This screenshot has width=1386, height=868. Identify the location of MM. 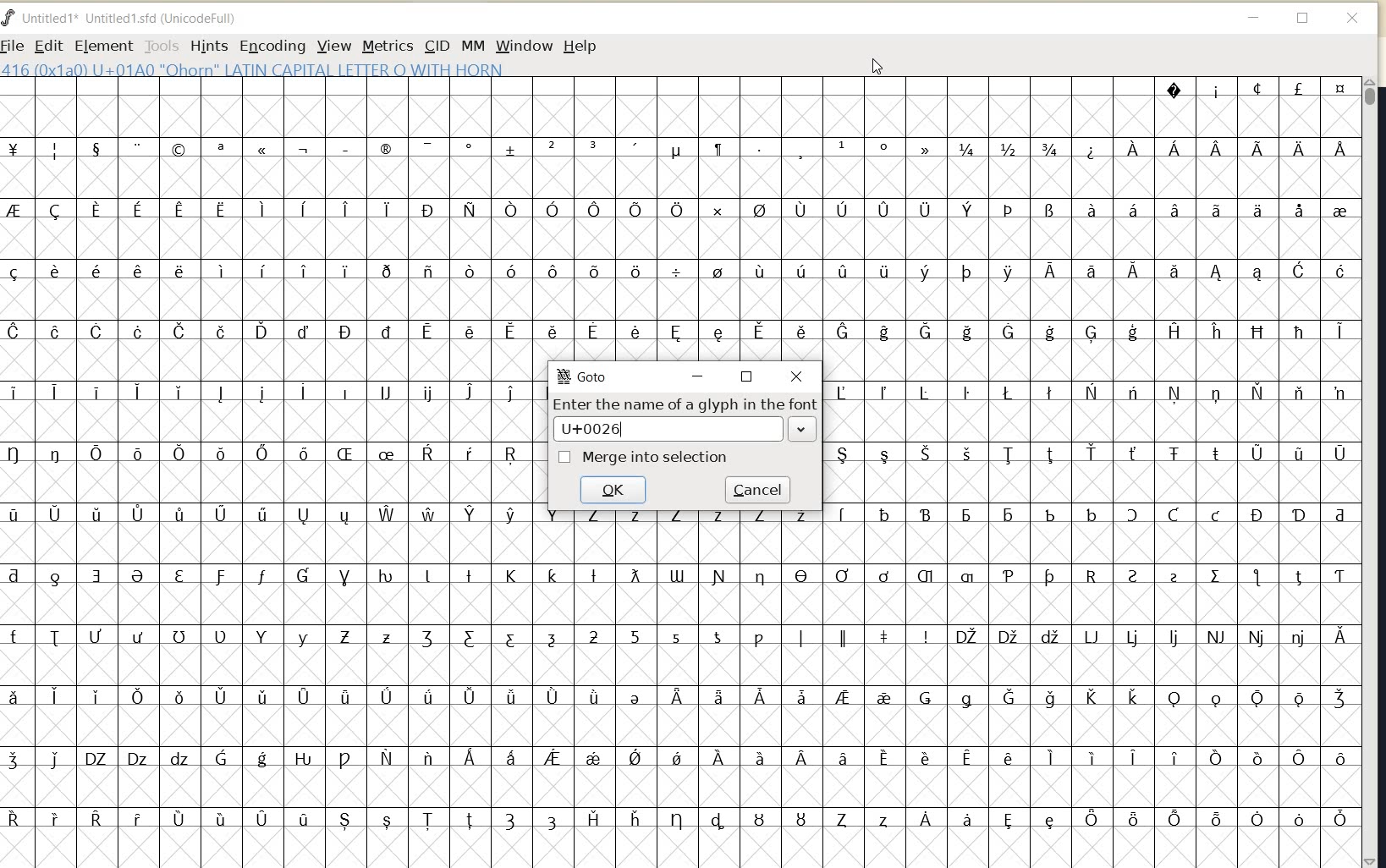
(471, 45).